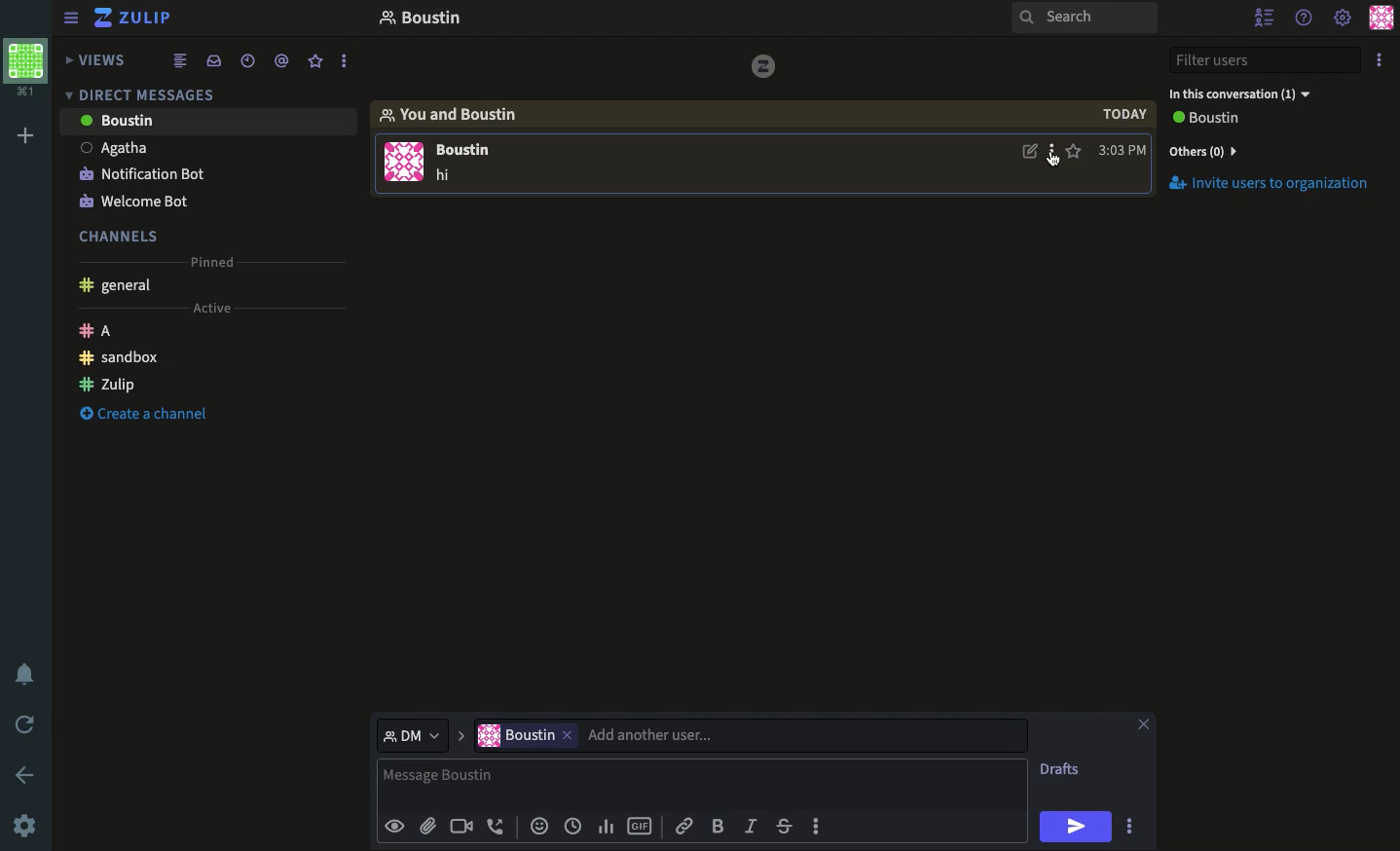  Describe the element at coordinates (101, 329) in the screenshot. I see `A` at that location.